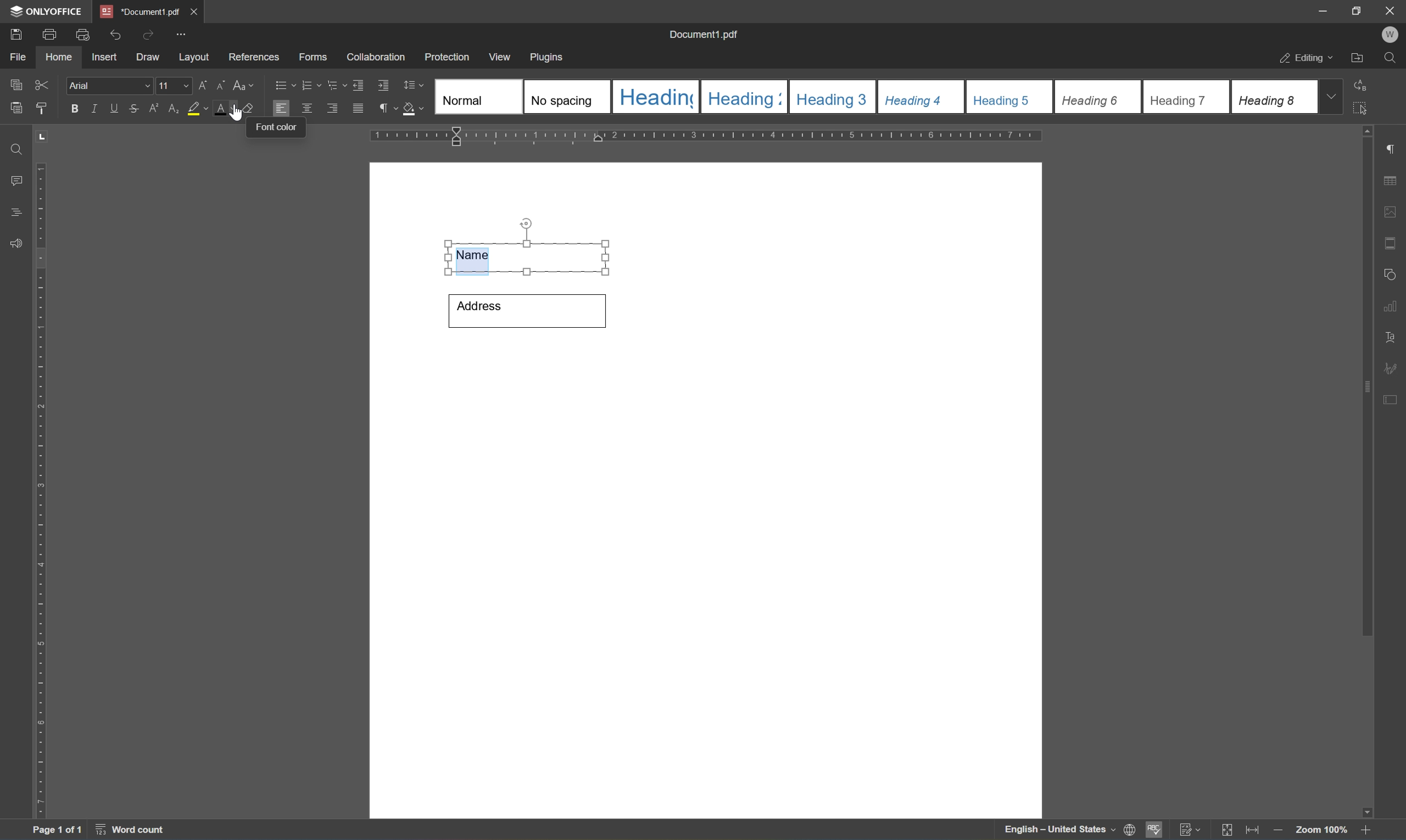  Describe the element at coordinates (1335, 97) in the screenshot. I see `drop down` at that location.